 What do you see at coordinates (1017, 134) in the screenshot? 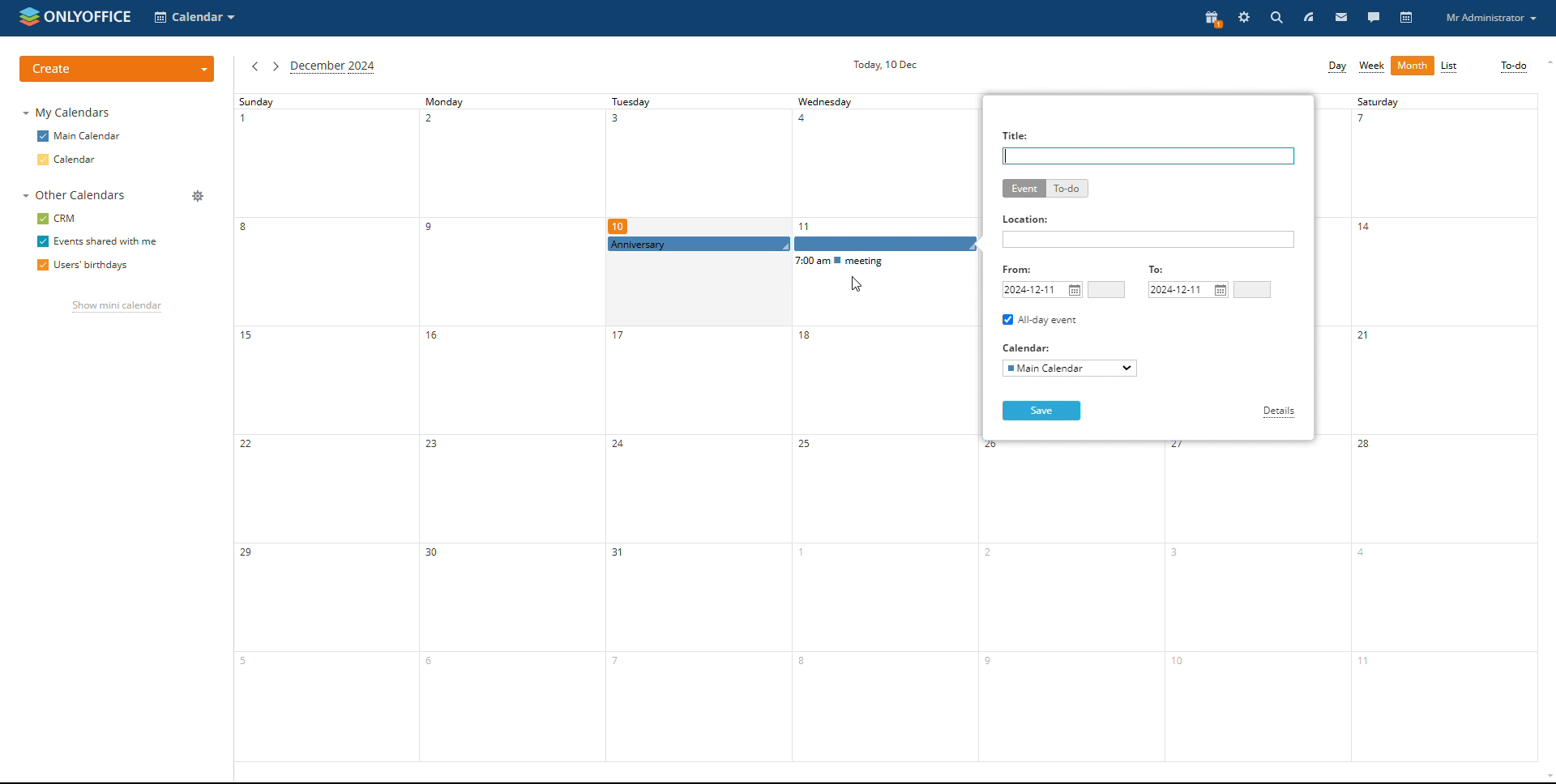
I see `Title:` at bounding box center [1017, 134].